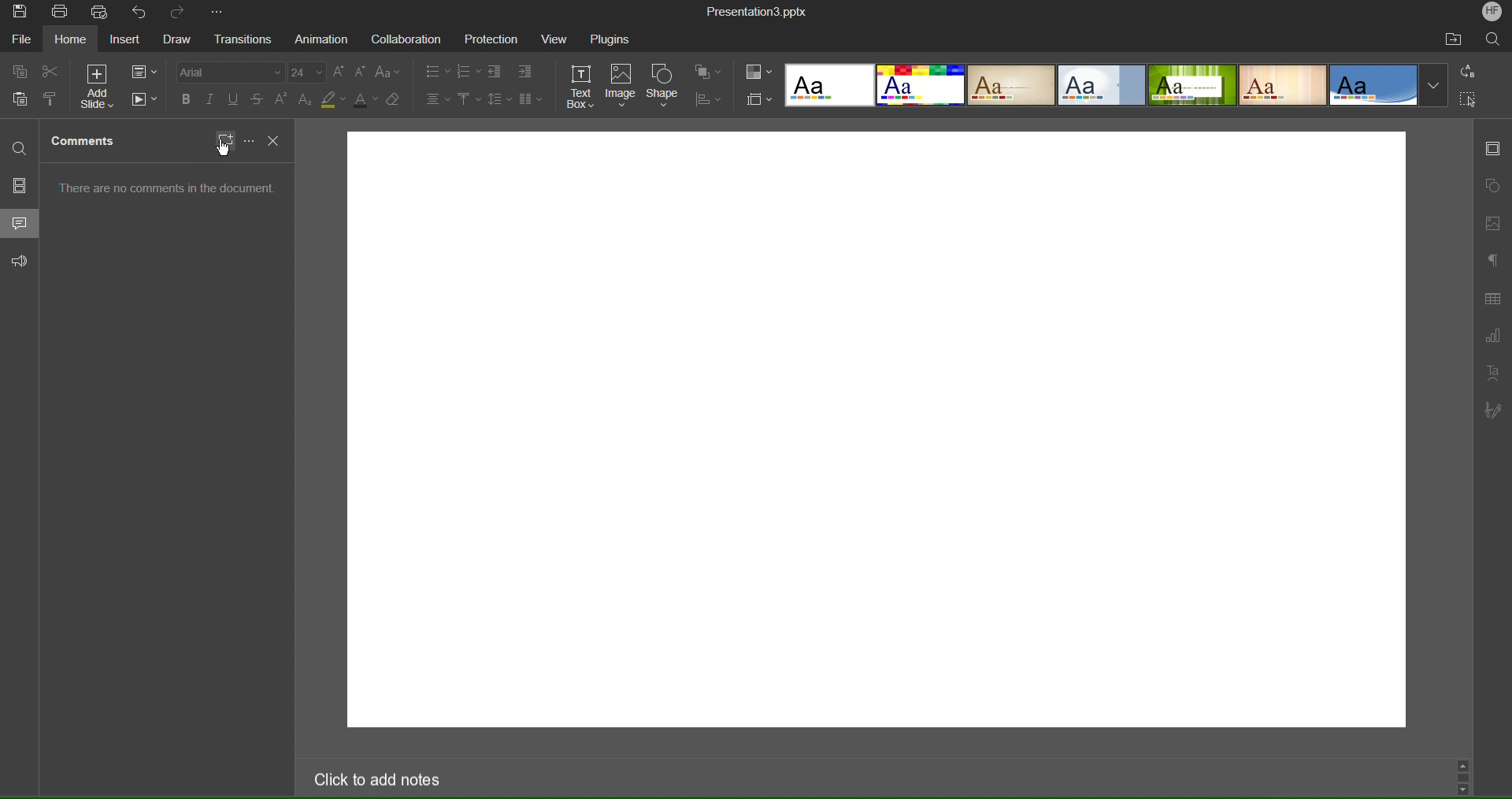  Describe the element at coordinates (221, 148) in the screenshot. I see `cursor` at that location.